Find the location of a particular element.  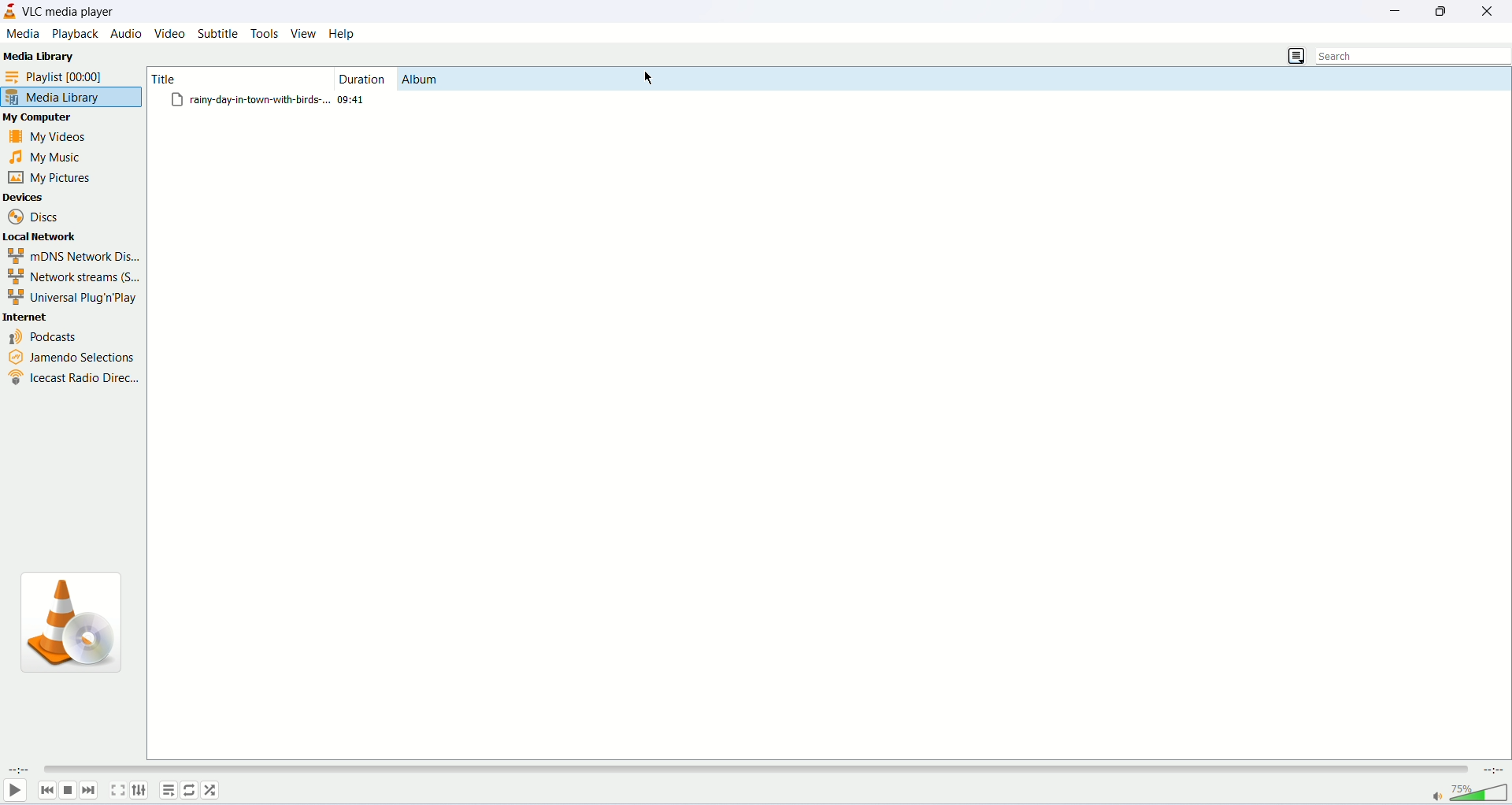

media is located at coordinates (20, 33).